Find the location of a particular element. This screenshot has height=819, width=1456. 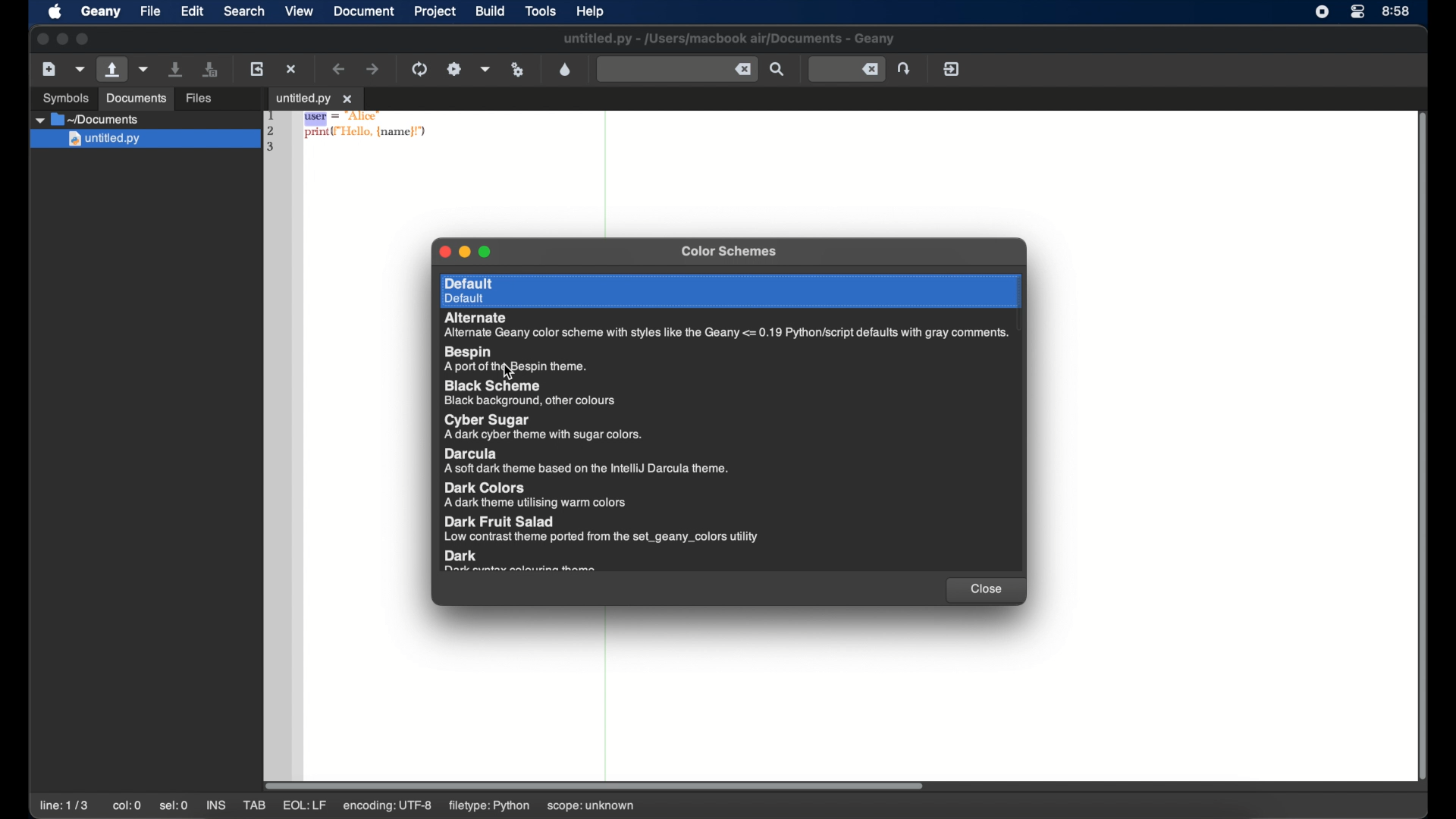

quit geany is located at coordinates (952, 68).